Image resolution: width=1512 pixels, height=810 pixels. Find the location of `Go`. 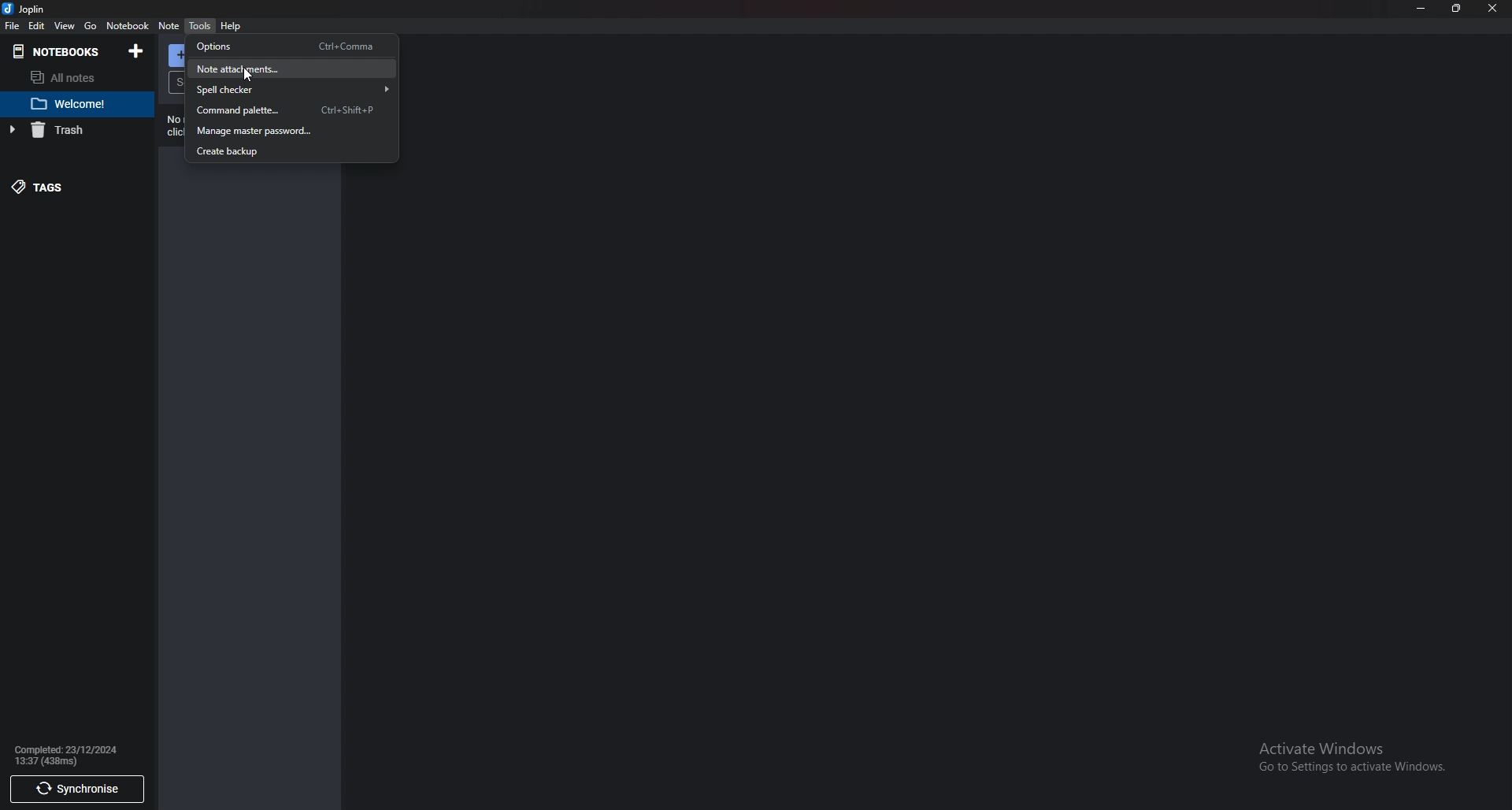

Go is located at coordinates (90, 27).